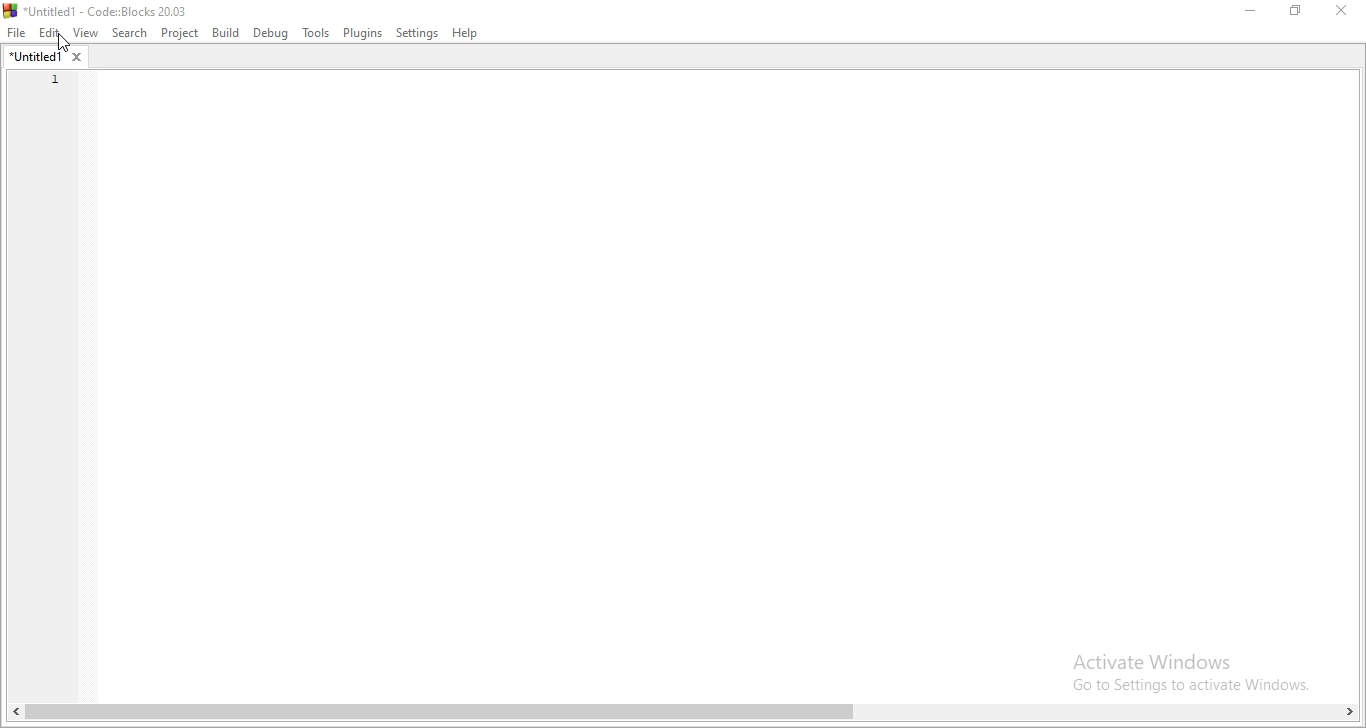 The image size is (1366, 728). Describe the element at coordinates (182, 33) in the screenshot. I see `project` at that location.